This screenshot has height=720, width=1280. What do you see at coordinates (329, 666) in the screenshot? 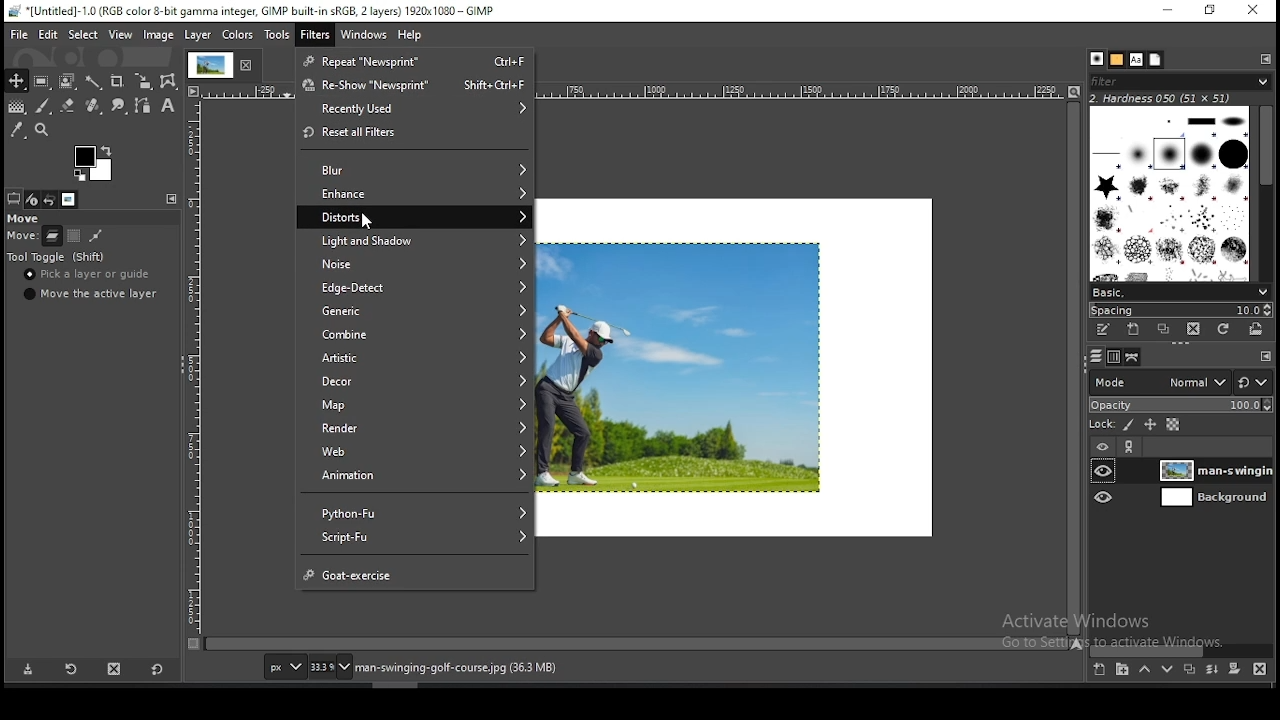
I see `zoom status` at bounding box center [329, 666].